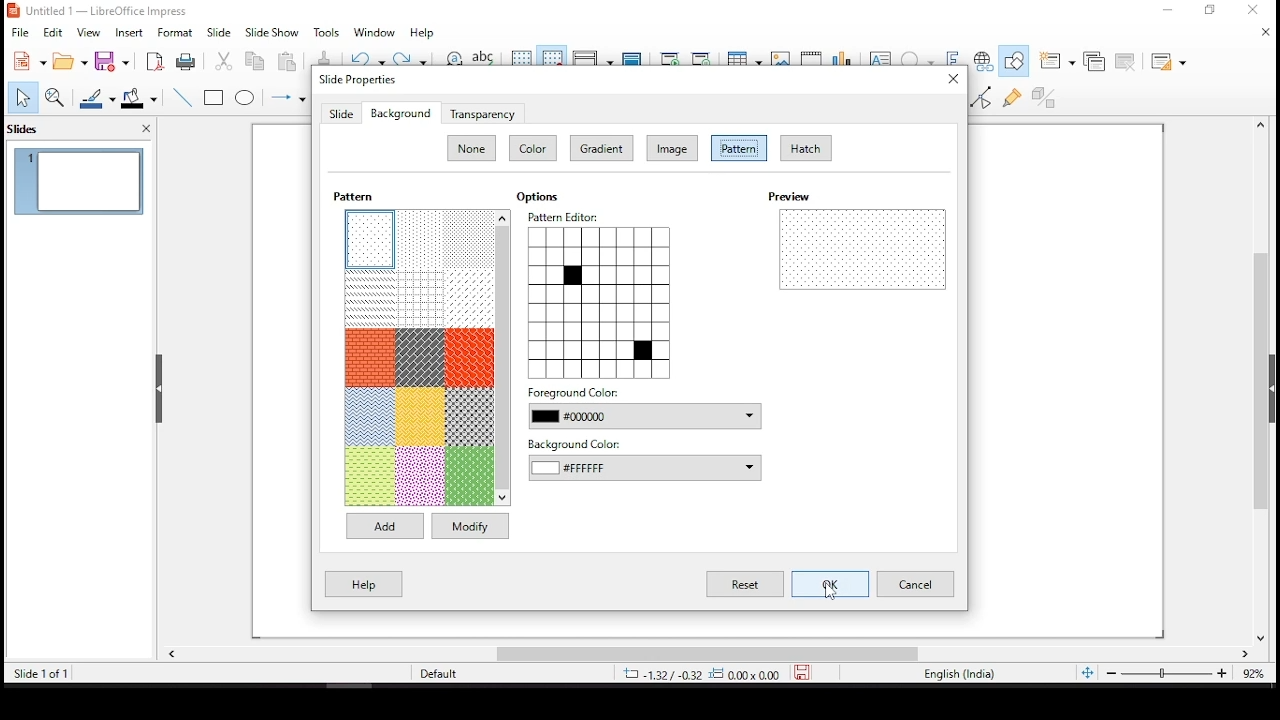 This screenshot has width=1280, height=720. Describe the element at coordinates (419, 476) in the screenshot. I see `pattern` at that location.